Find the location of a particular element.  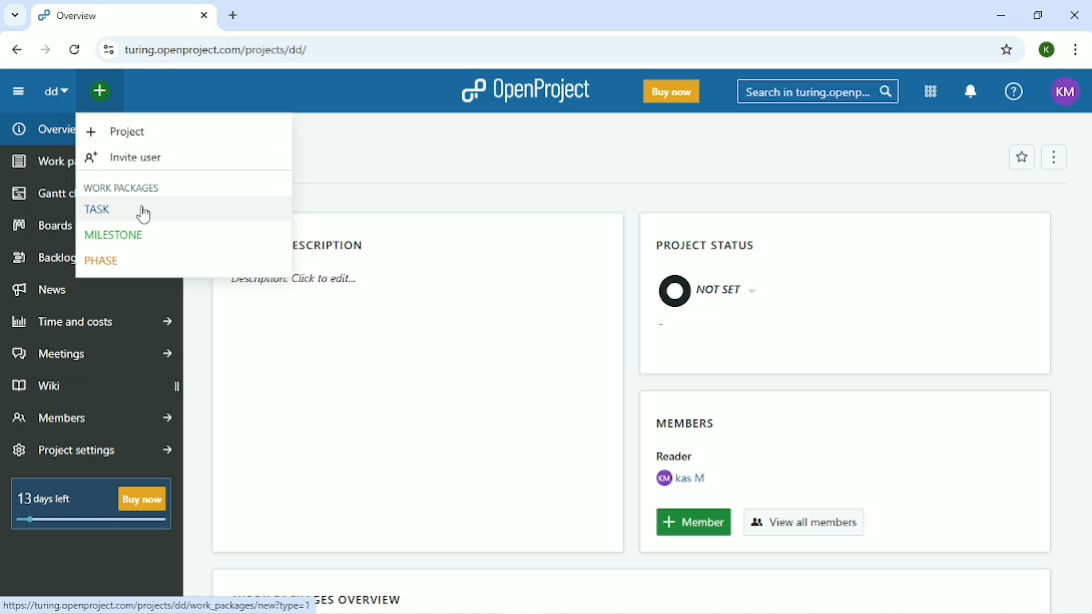

list of tabs is located at coordinates (15, 17).